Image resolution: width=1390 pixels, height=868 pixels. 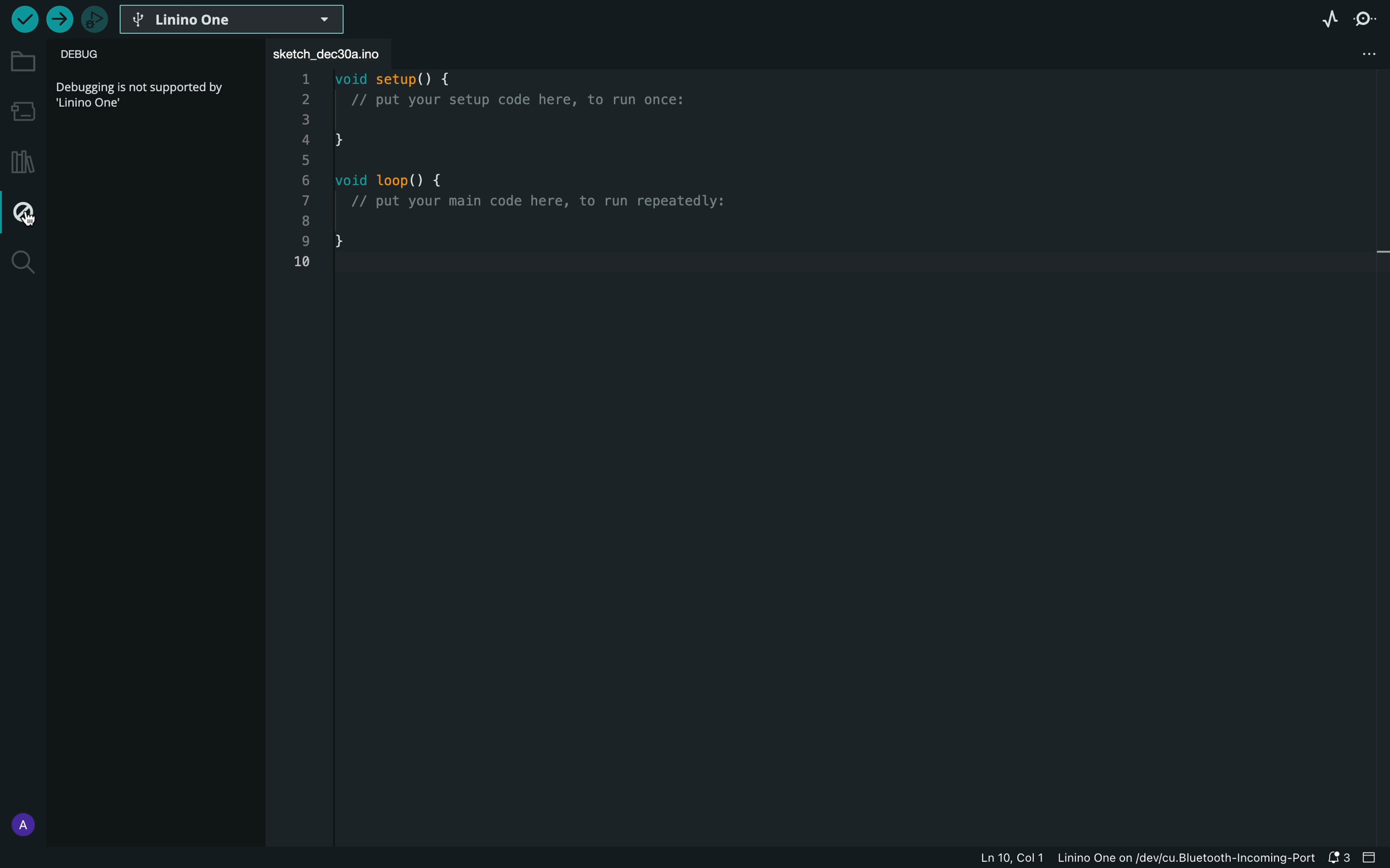 I want to click on close bar, so click(x=1373, y=858).